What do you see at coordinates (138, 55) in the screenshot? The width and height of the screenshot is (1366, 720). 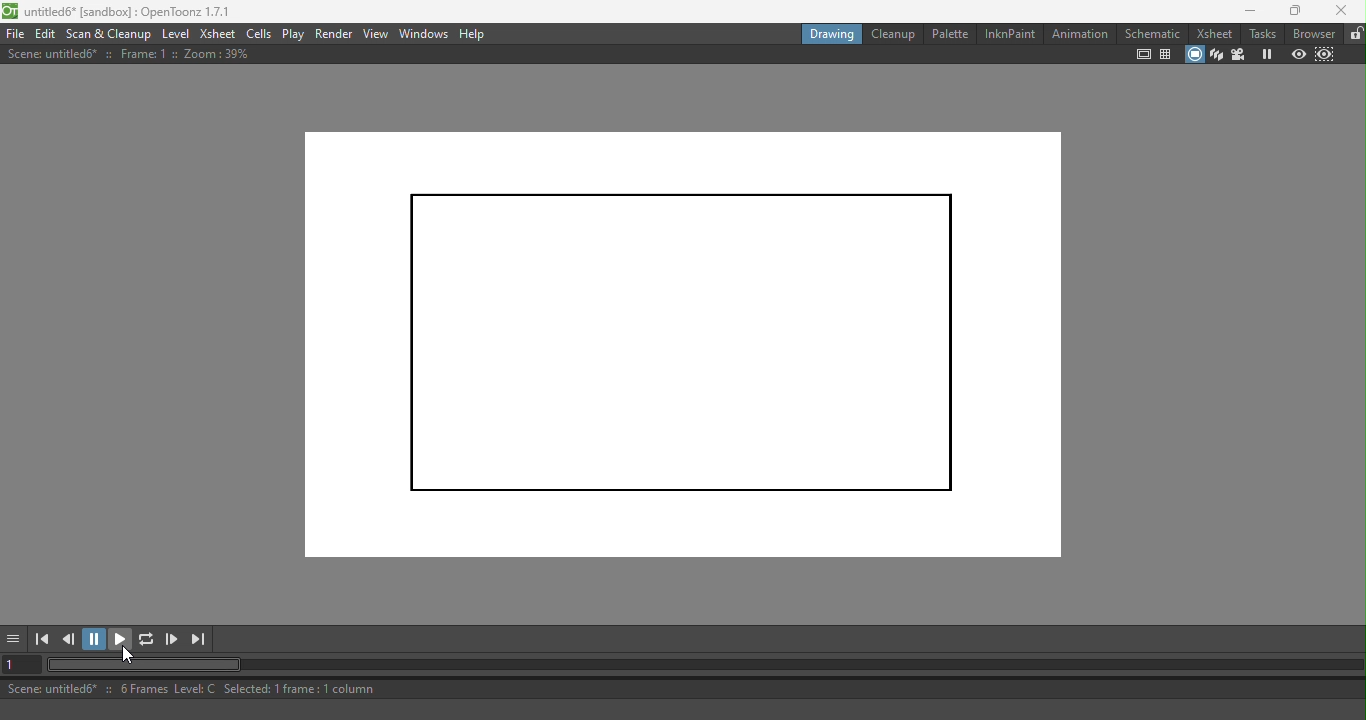 I see `Scene information` at bounding box center [138, 55].